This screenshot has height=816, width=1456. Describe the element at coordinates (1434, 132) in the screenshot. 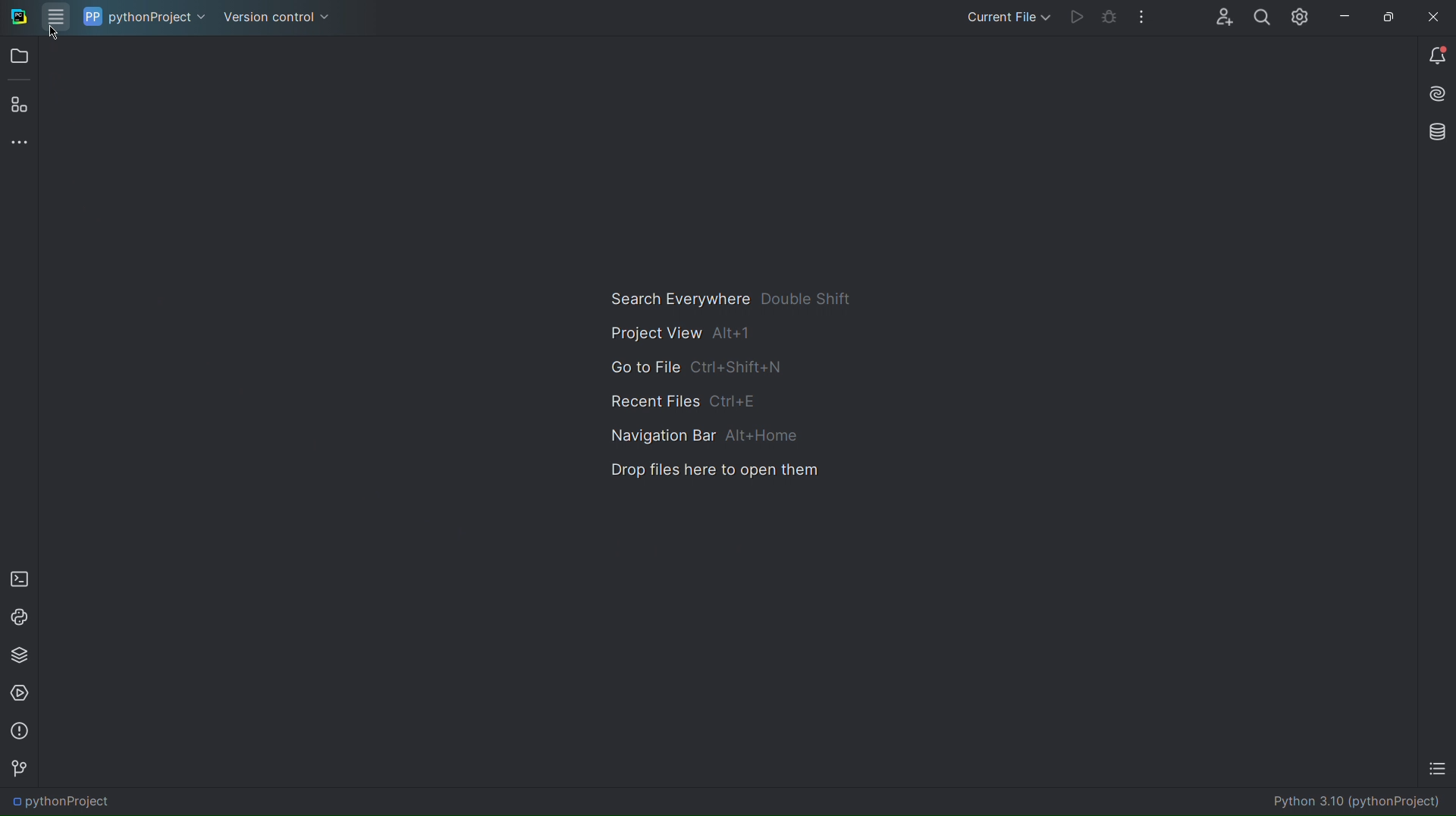

I see `Databases` at that location.